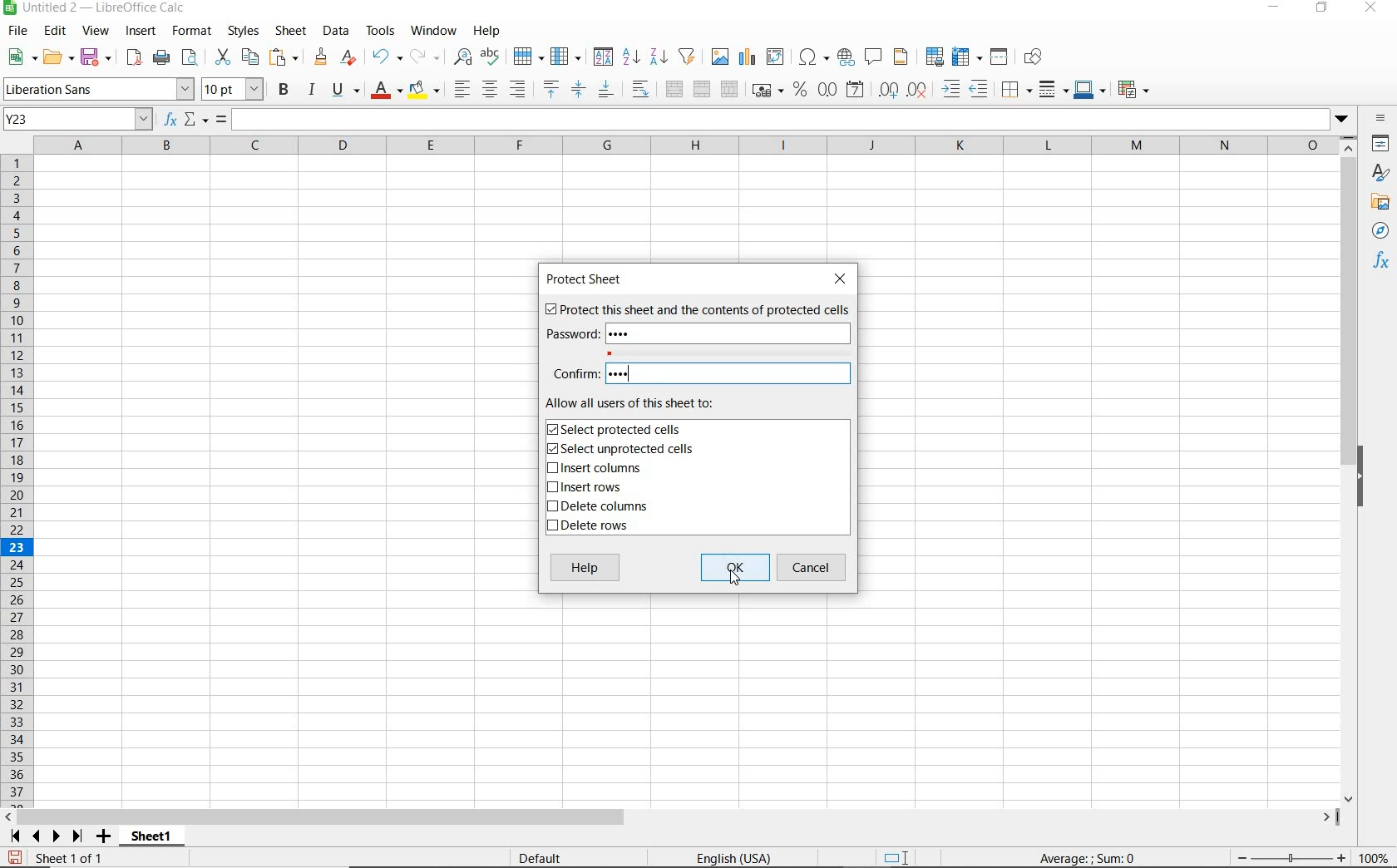 This screenshot has height=868, width=1397. I want to click on VIEW, so click(96, 31).